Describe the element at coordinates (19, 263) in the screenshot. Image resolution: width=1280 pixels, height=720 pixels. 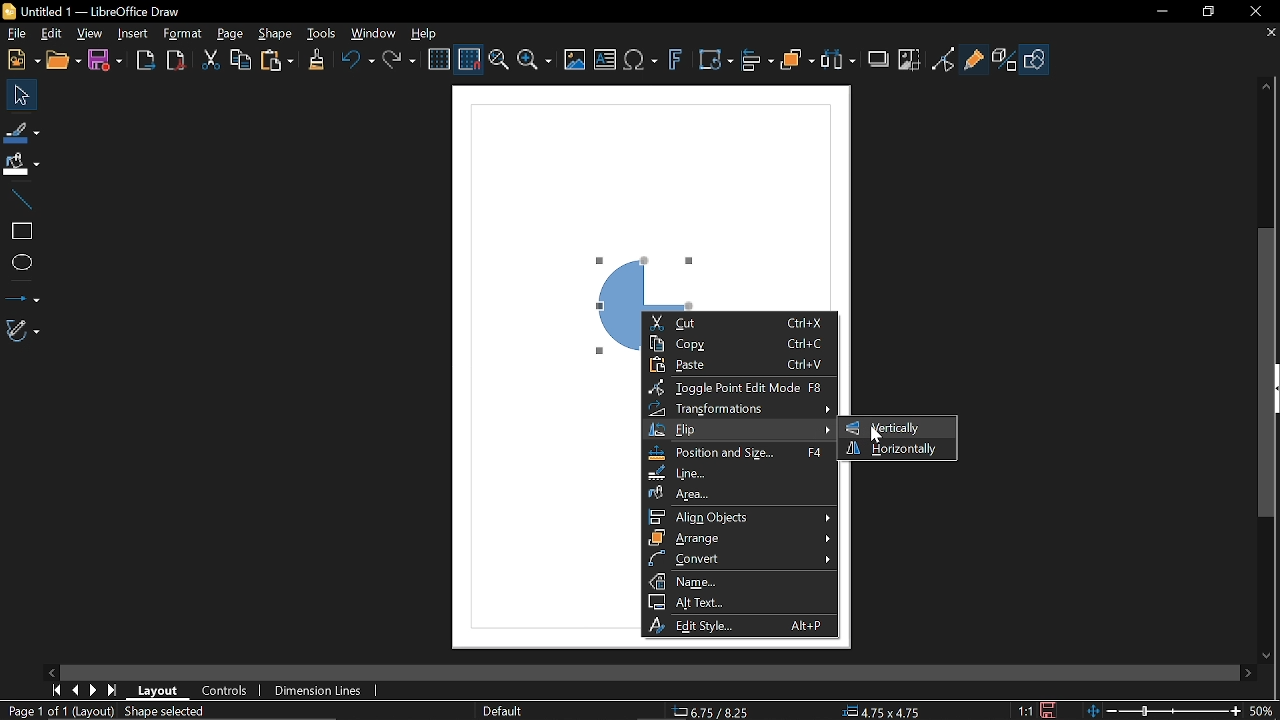
I see `Ellipse` at that location.